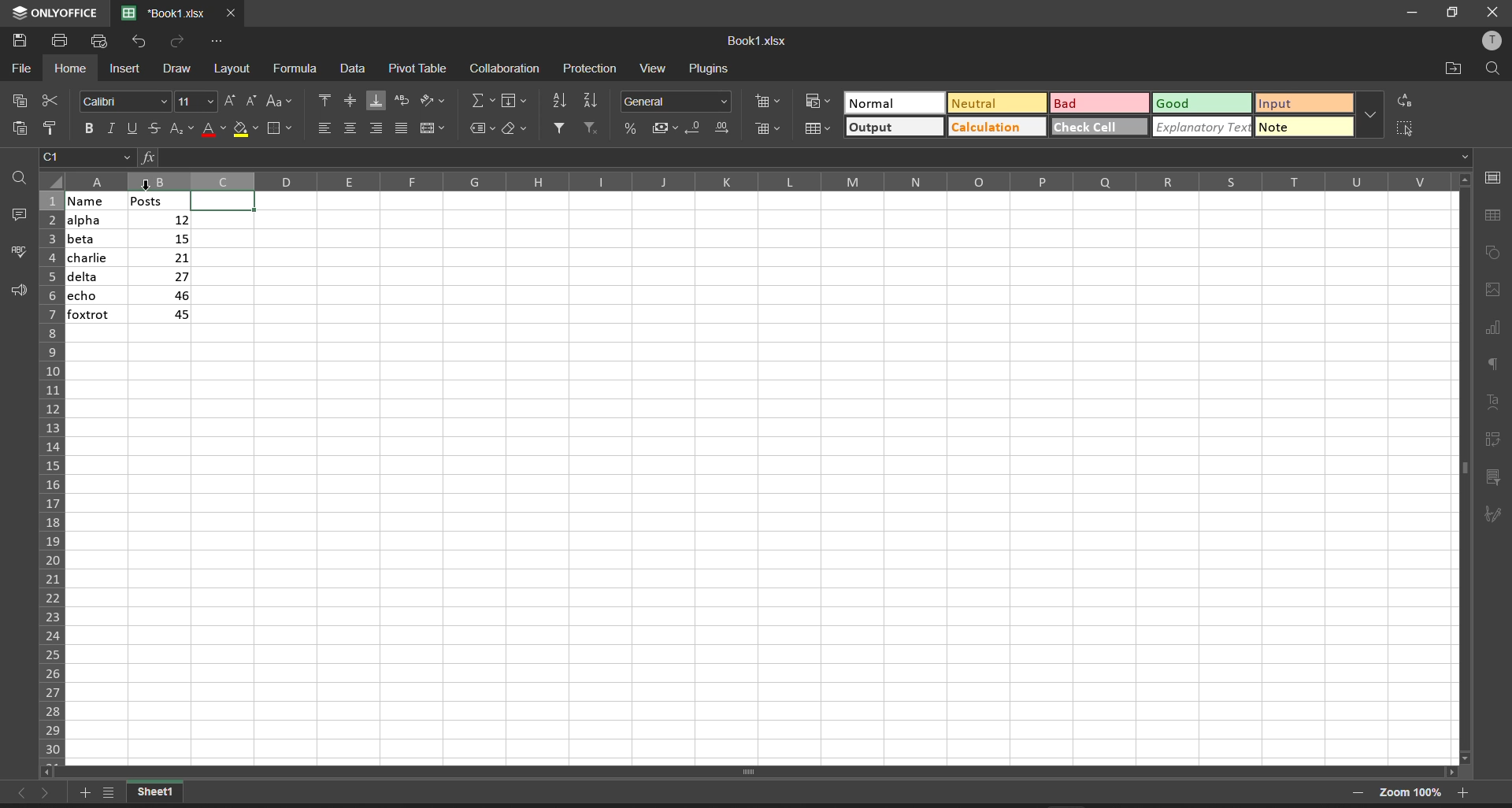 The image size is (1512, 808). Describe the element at coordinates (555, 128) in the screenshot. I see `filter` at that location.